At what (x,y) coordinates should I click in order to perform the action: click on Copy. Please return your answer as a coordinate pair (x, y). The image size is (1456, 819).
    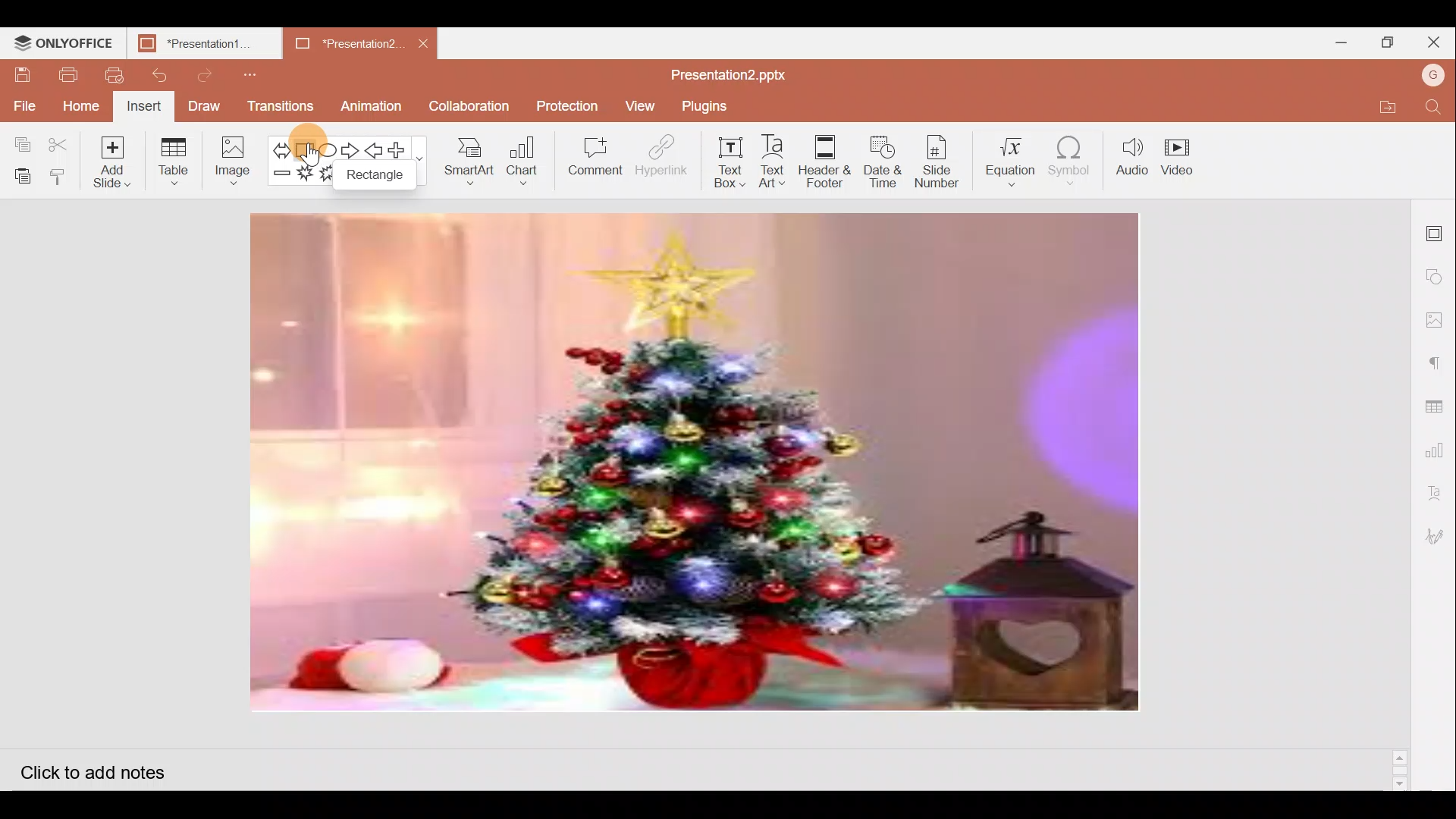
    Looking at the image, I should click on (17, 142).